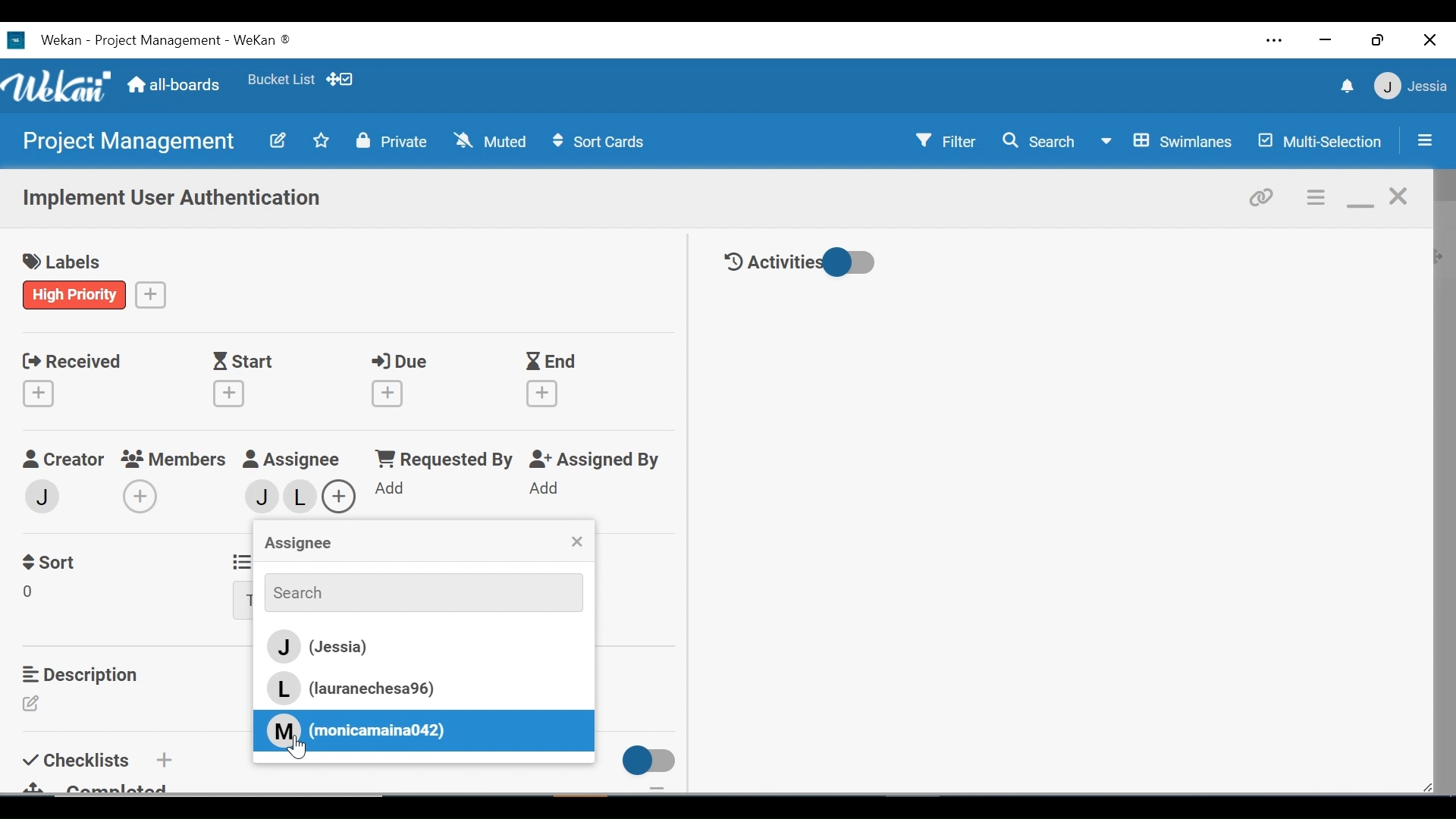  What do you see at coordinates (299, 460) in the screenshot?
I see `Assignee` at bounding box center [299, 460].